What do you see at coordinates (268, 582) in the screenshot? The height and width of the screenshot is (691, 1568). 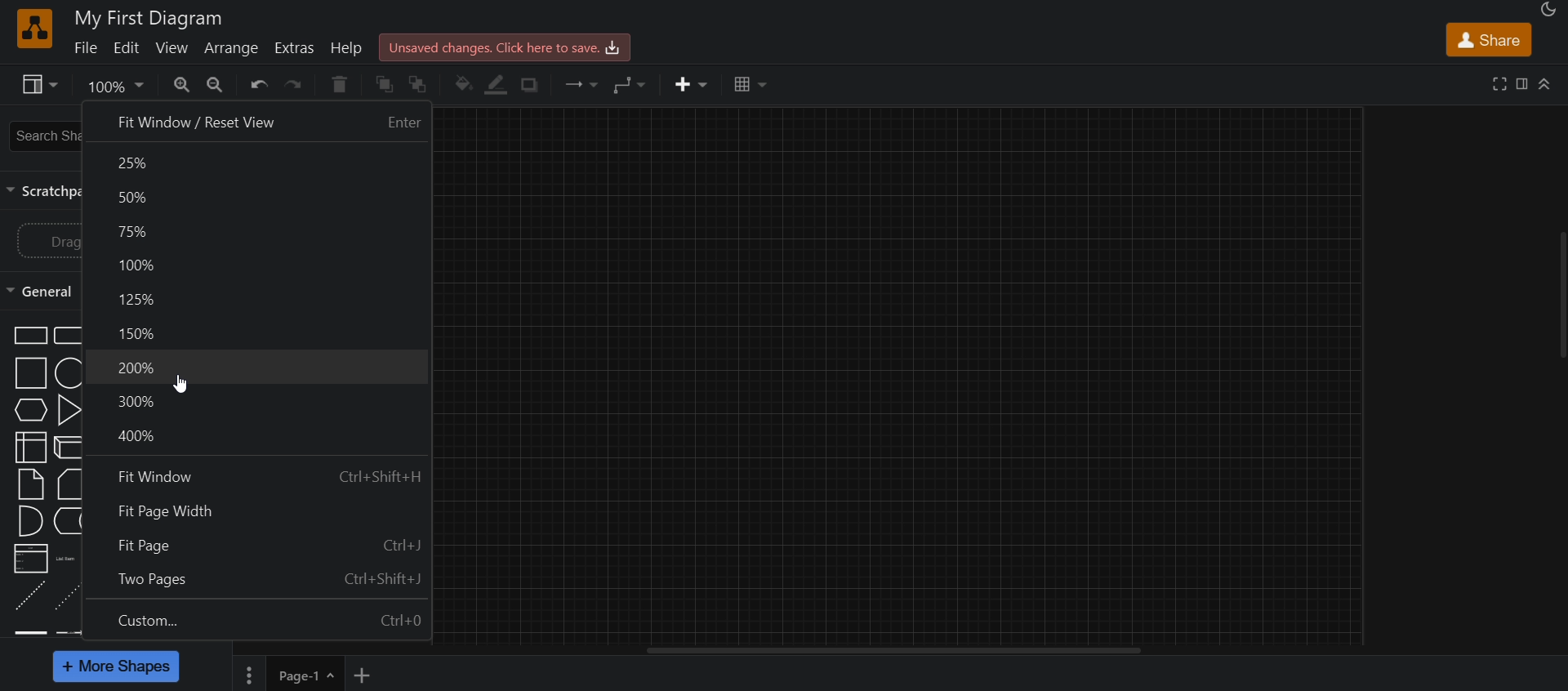 I see `two pages` at bounding box center [268, 582].